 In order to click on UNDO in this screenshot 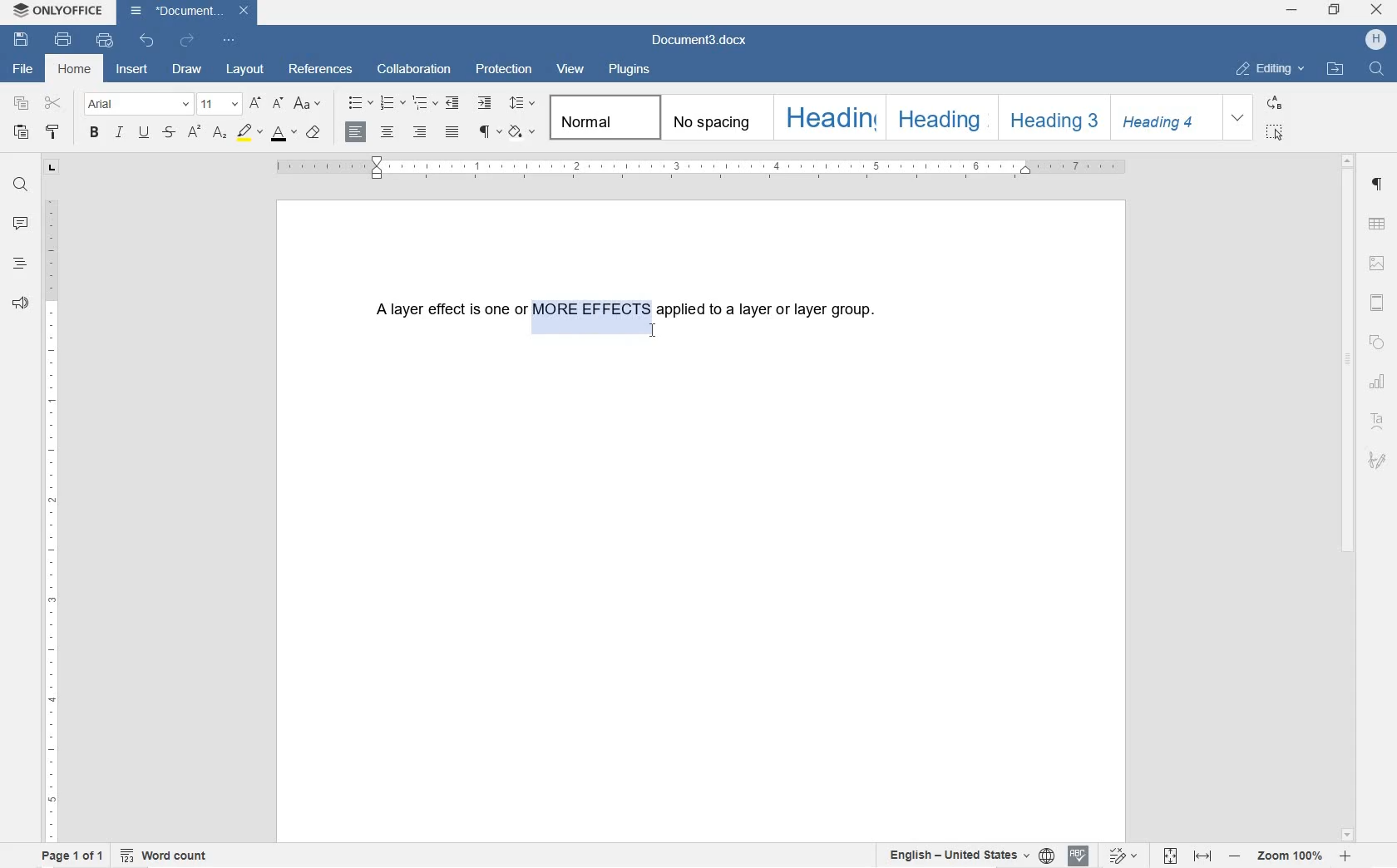, I will do `click(147, 42)`.